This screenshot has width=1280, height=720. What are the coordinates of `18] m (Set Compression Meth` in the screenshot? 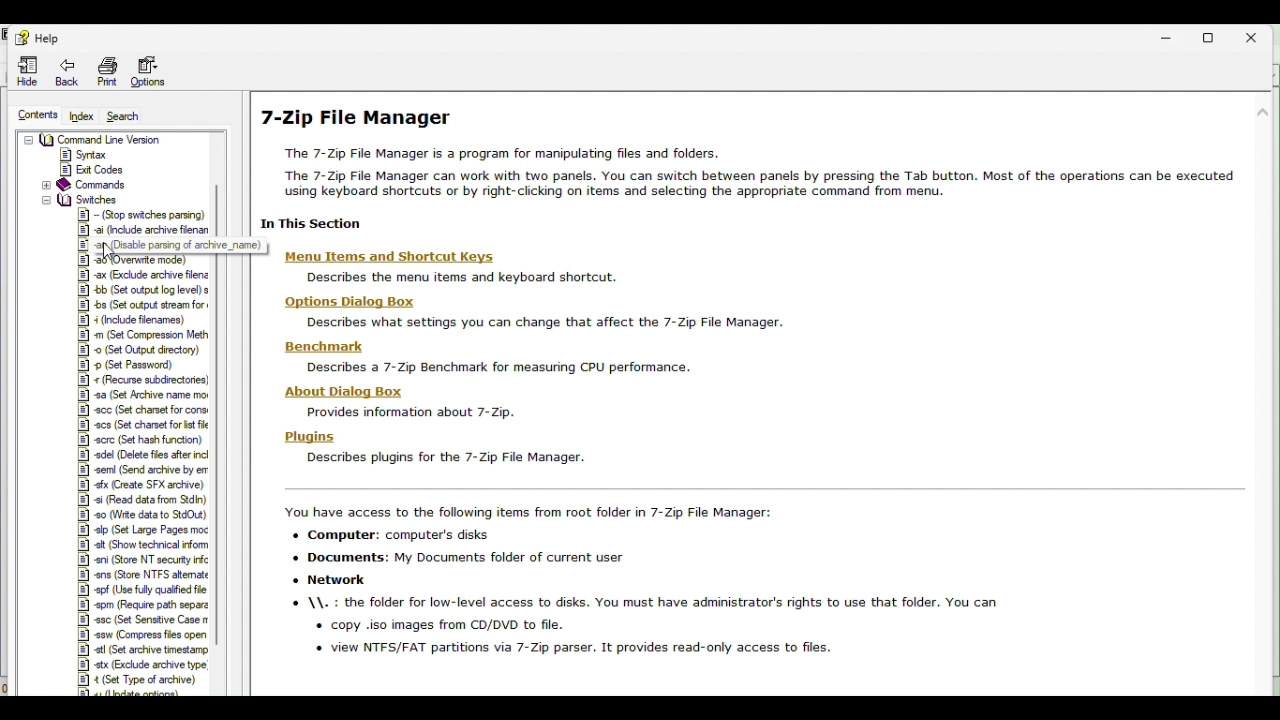 It's located at (145, 333).